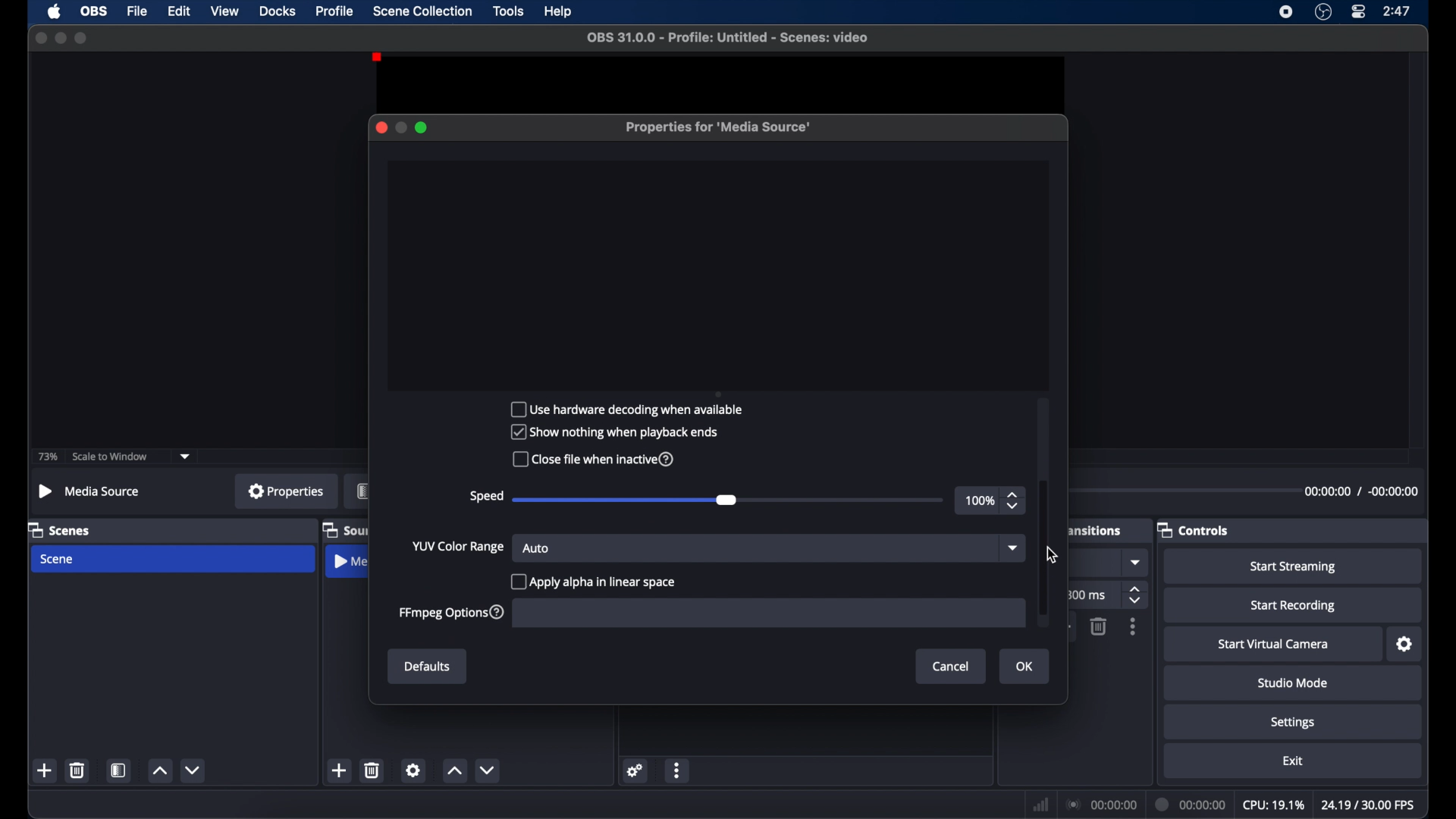 The height and width of the screenshot is (819, 1456). Describe the element at coordinates (1274, 645) in the screenshot. I see `start virtual camera` at that location.